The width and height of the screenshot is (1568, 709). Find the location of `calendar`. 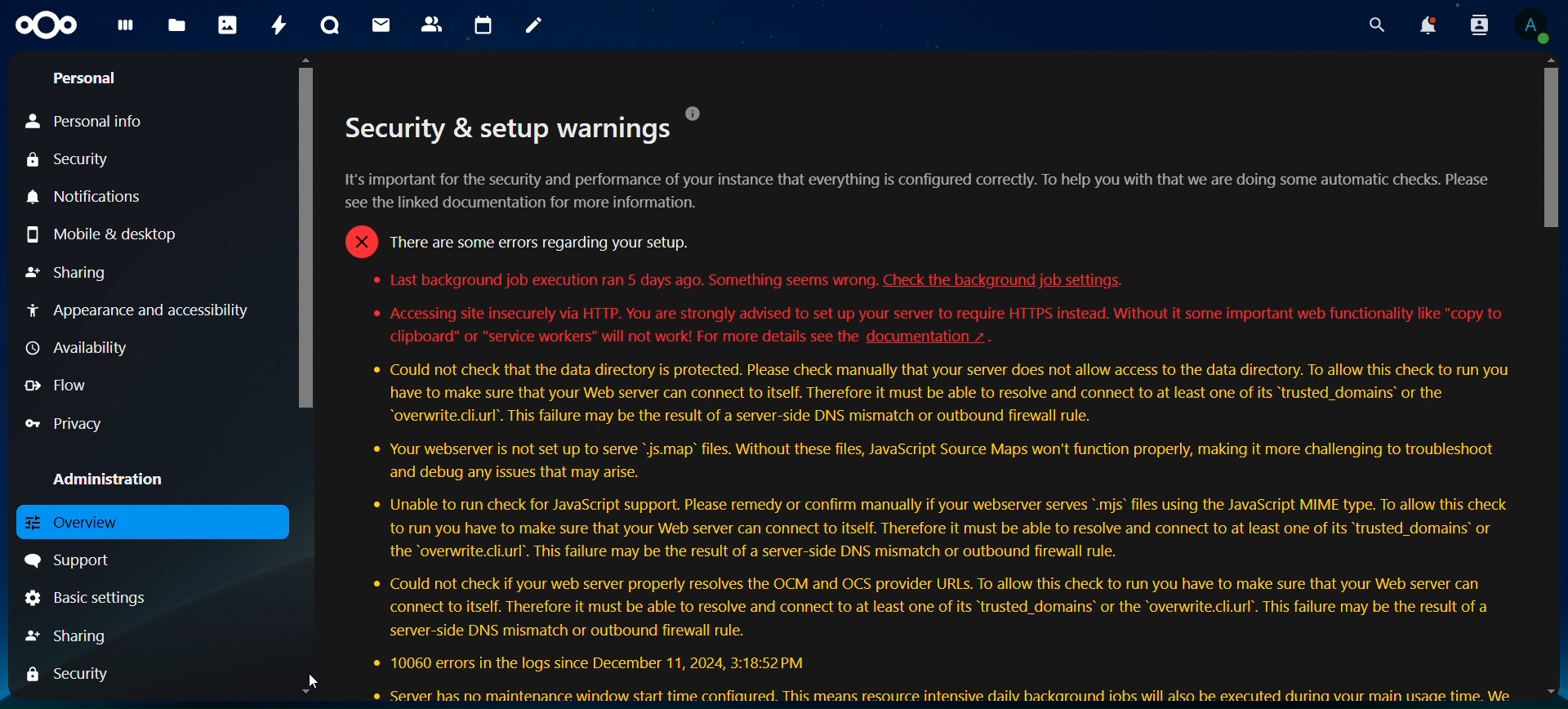

calendar is located at coordinates (483, 24).